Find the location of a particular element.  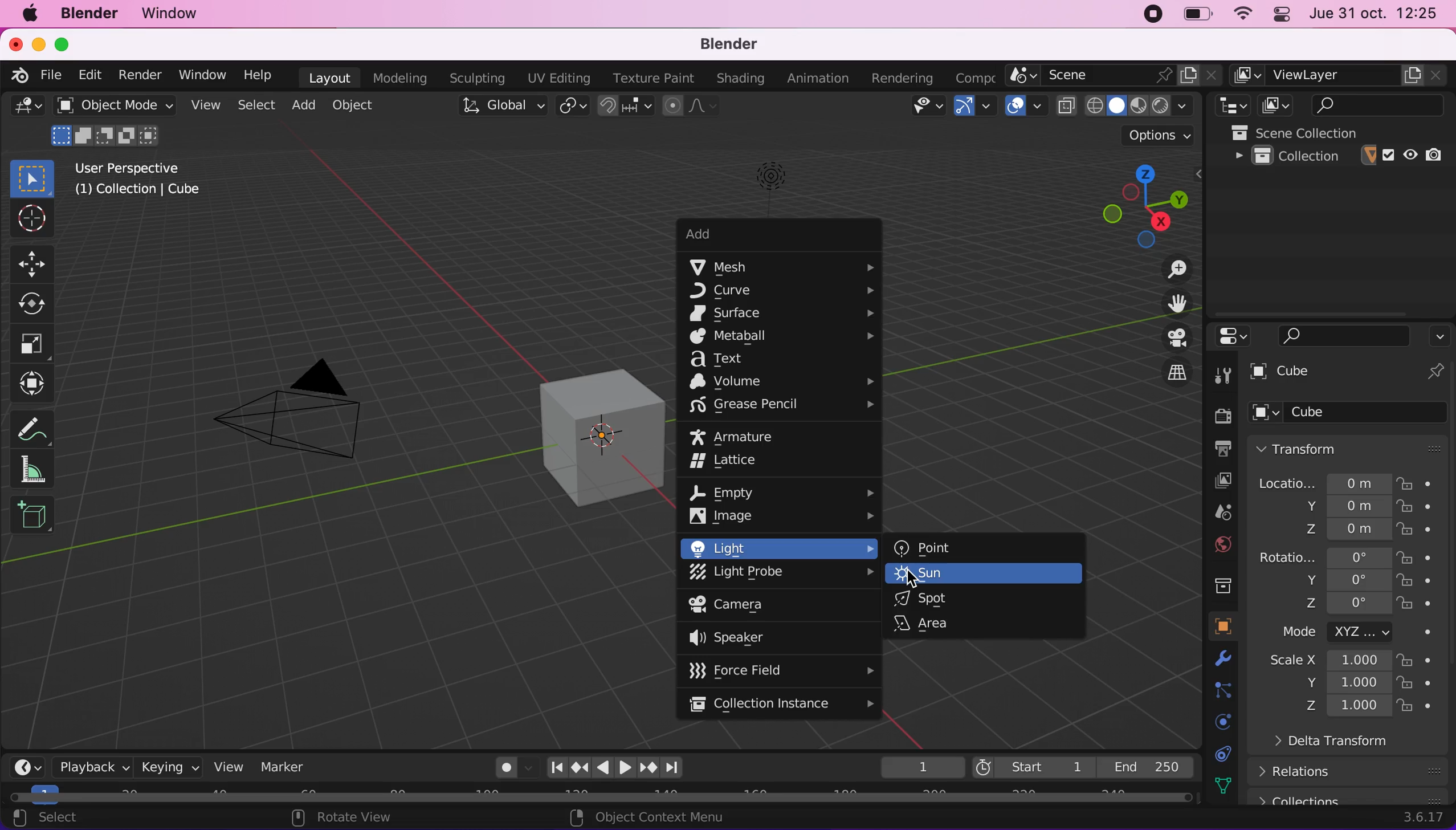

mode xyz... is located at coordinates (1351, 632).